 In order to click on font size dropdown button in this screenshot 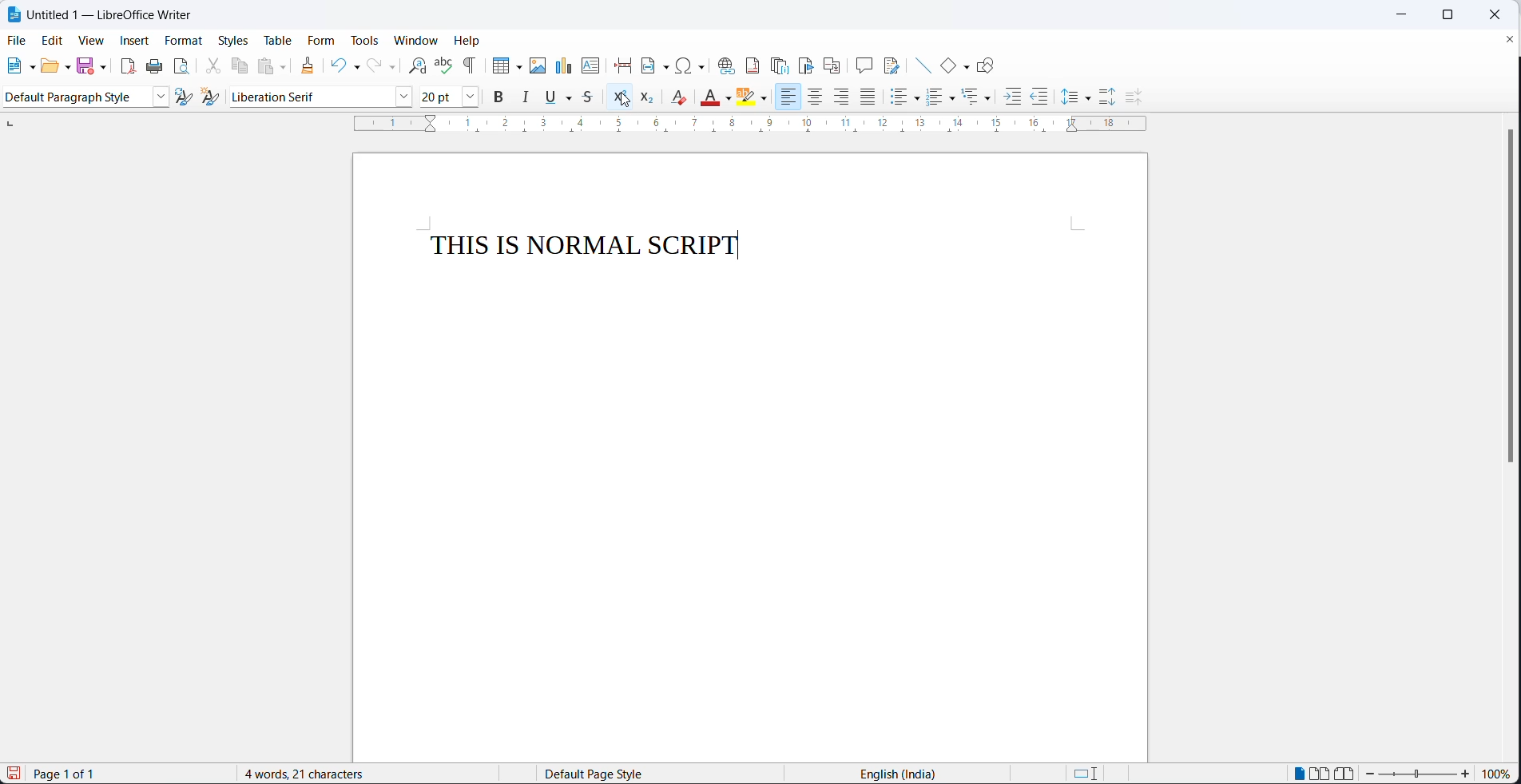, I will do `click(471, 97)`.